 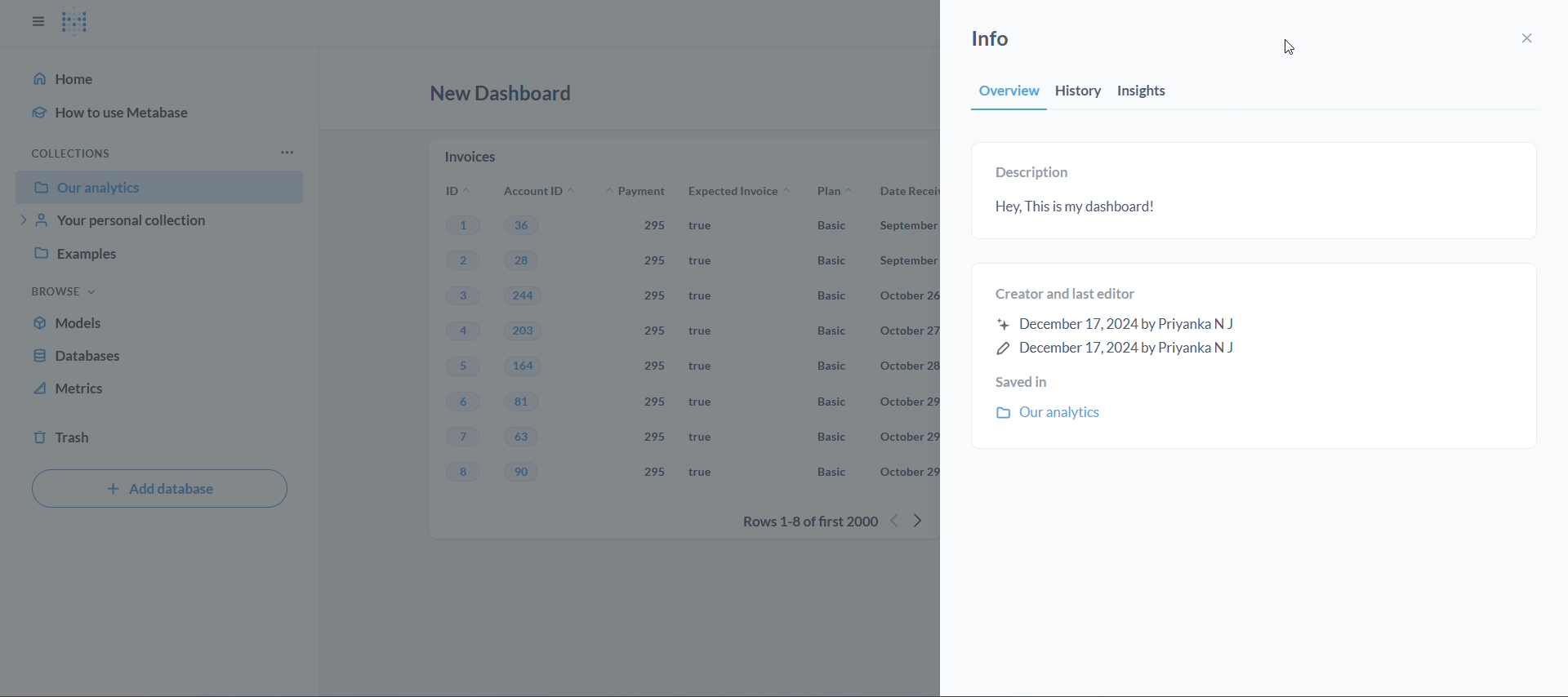 I want to click on our analytics, so click(x=159, y=187).